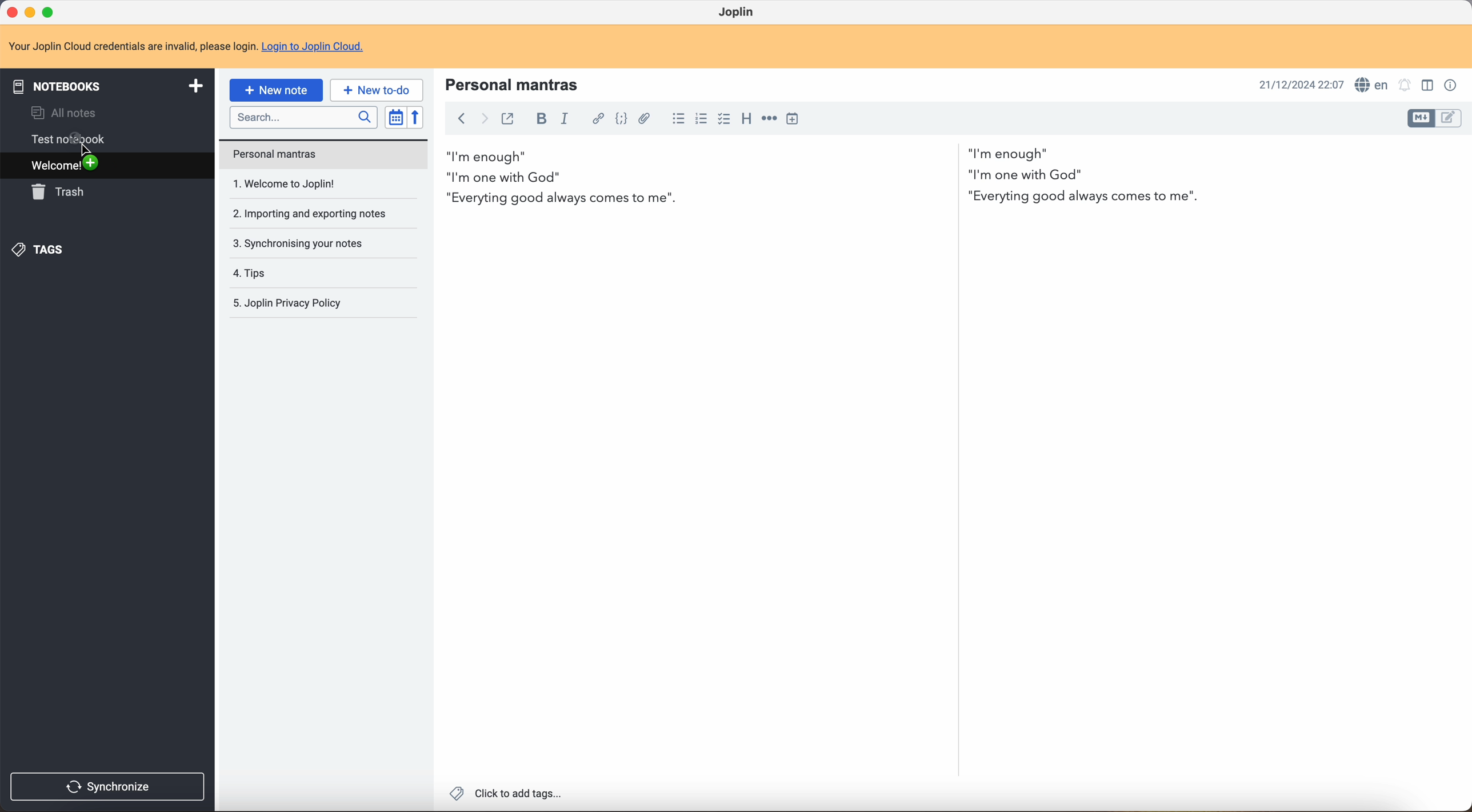 The image size is (1472, 812). Describe the element at coordinates (250, 274) in the screenshot. I see `tips` at that location.